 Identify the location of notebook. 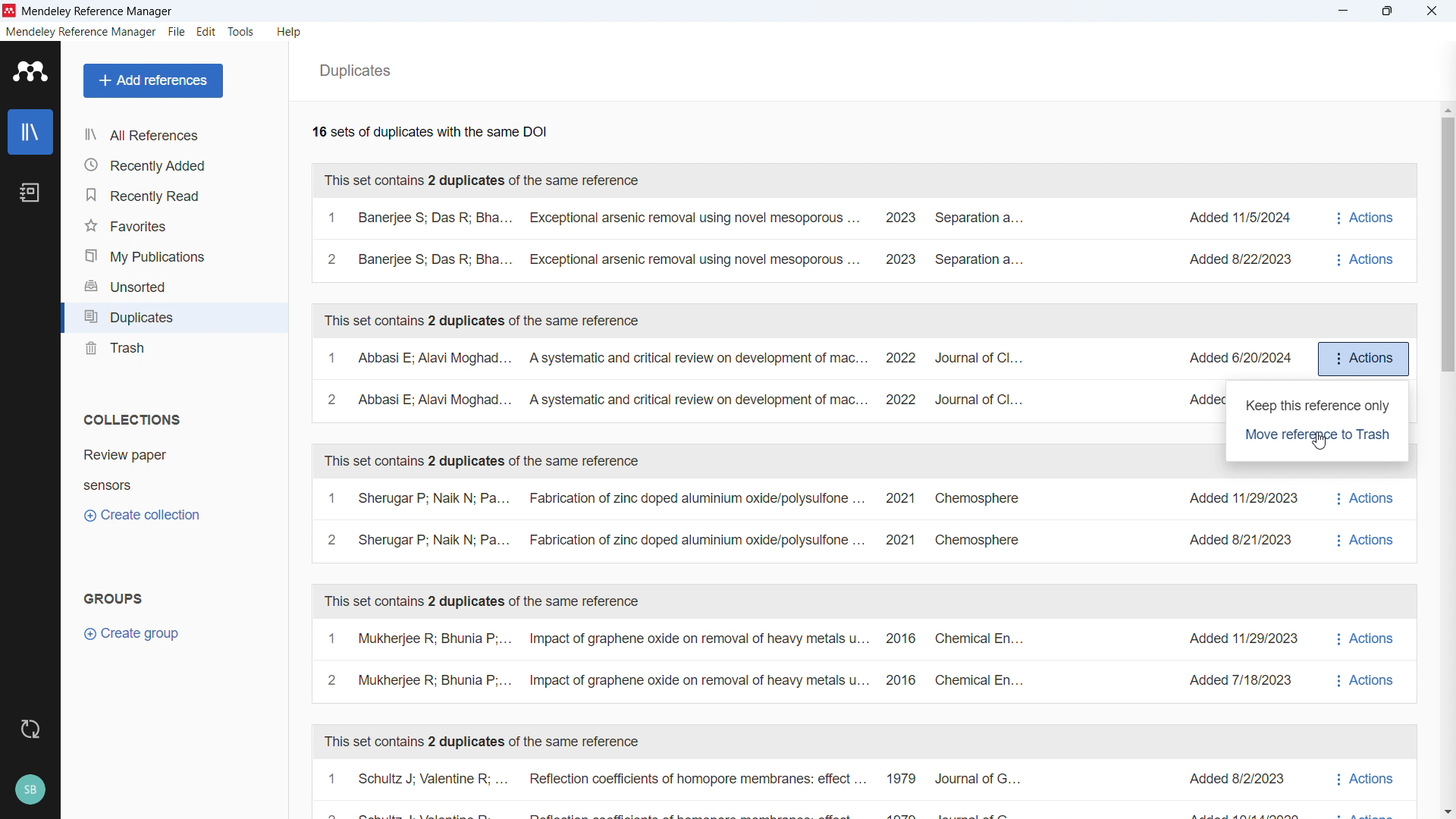
(32, 193).